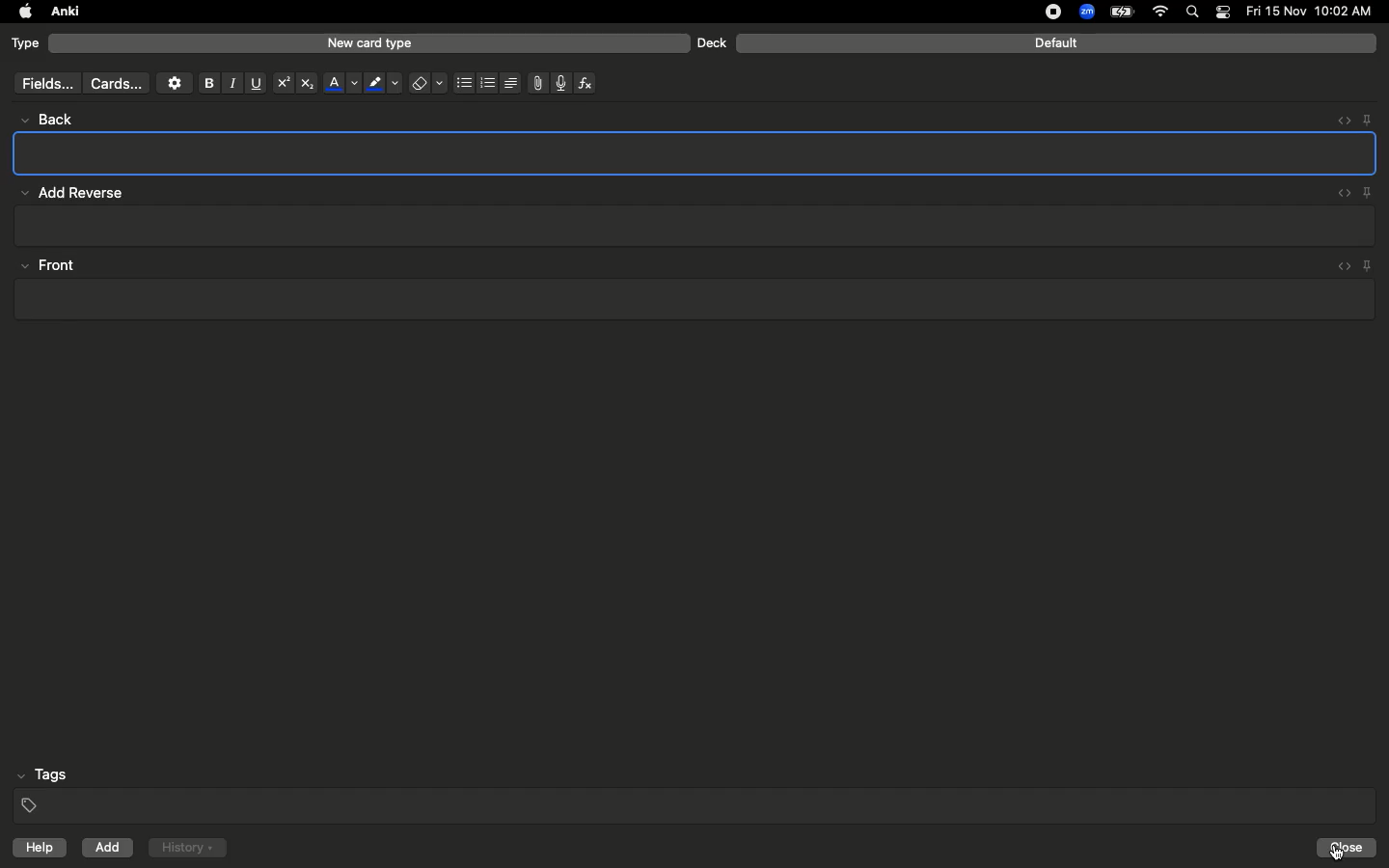 This screenshot has height=868, width=1389. Describe the element at coordinates (54, 120) in the screenshot. I see `back` at that location.